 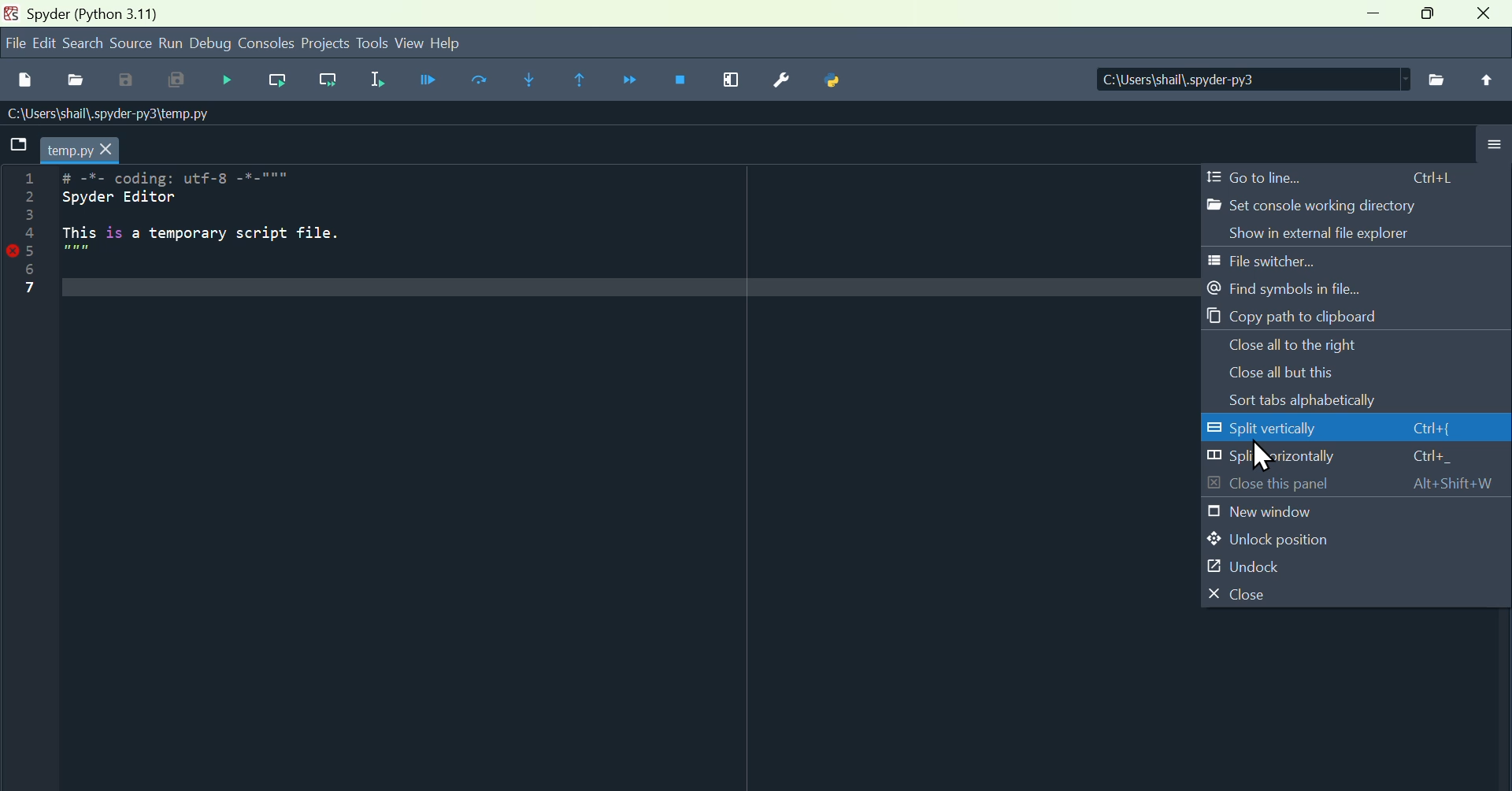 What do you see at coordinates (100, 13) in the screenshot?
I see `spyder (Python 3.11)` at bounding box center [100, 13].